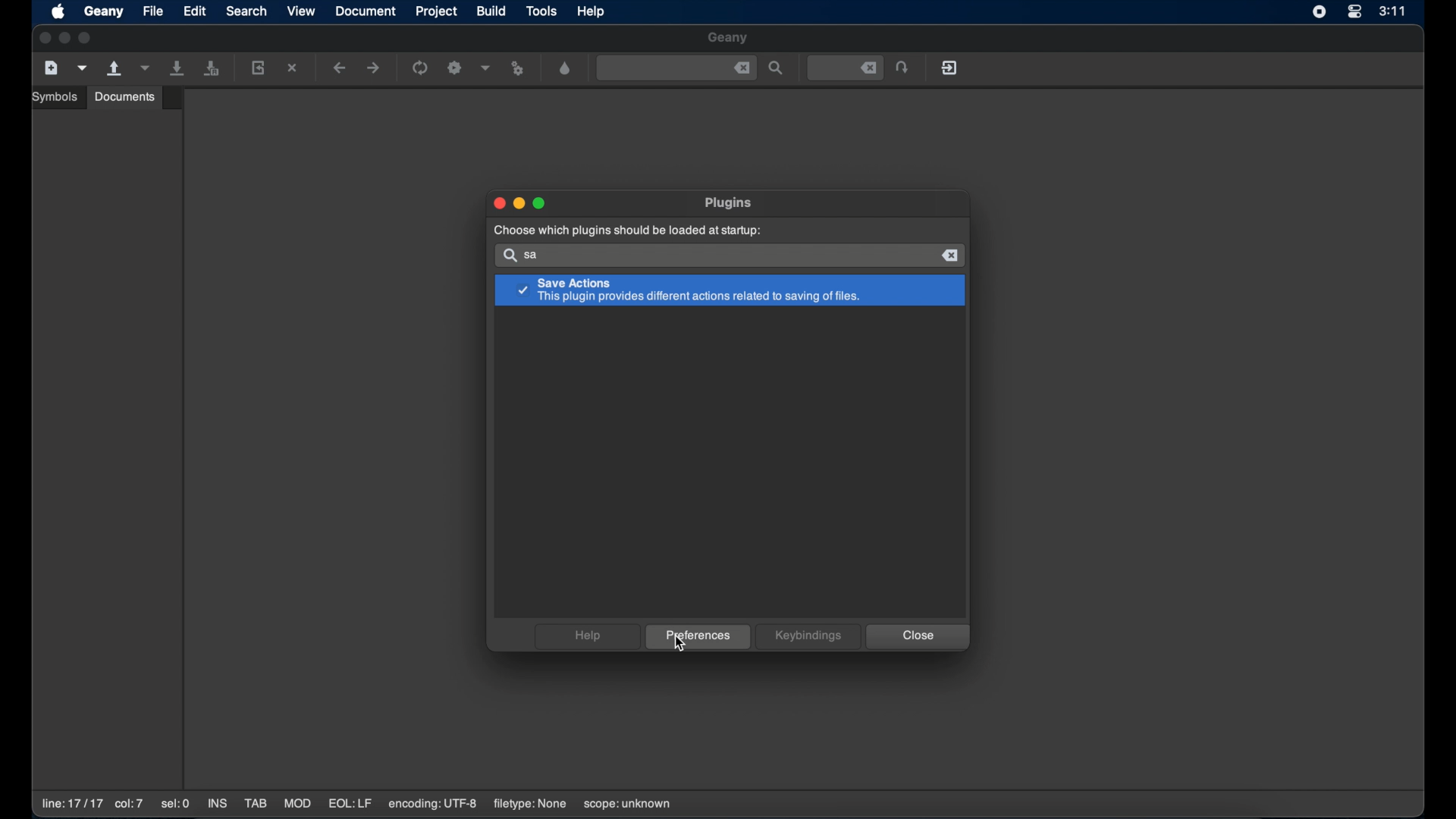 The width and height of the screenshot is (1456, 819). What do you see at coordinates (177, 805) in the screenshot?
I see `sel:0` at bounding box center [177, 805].